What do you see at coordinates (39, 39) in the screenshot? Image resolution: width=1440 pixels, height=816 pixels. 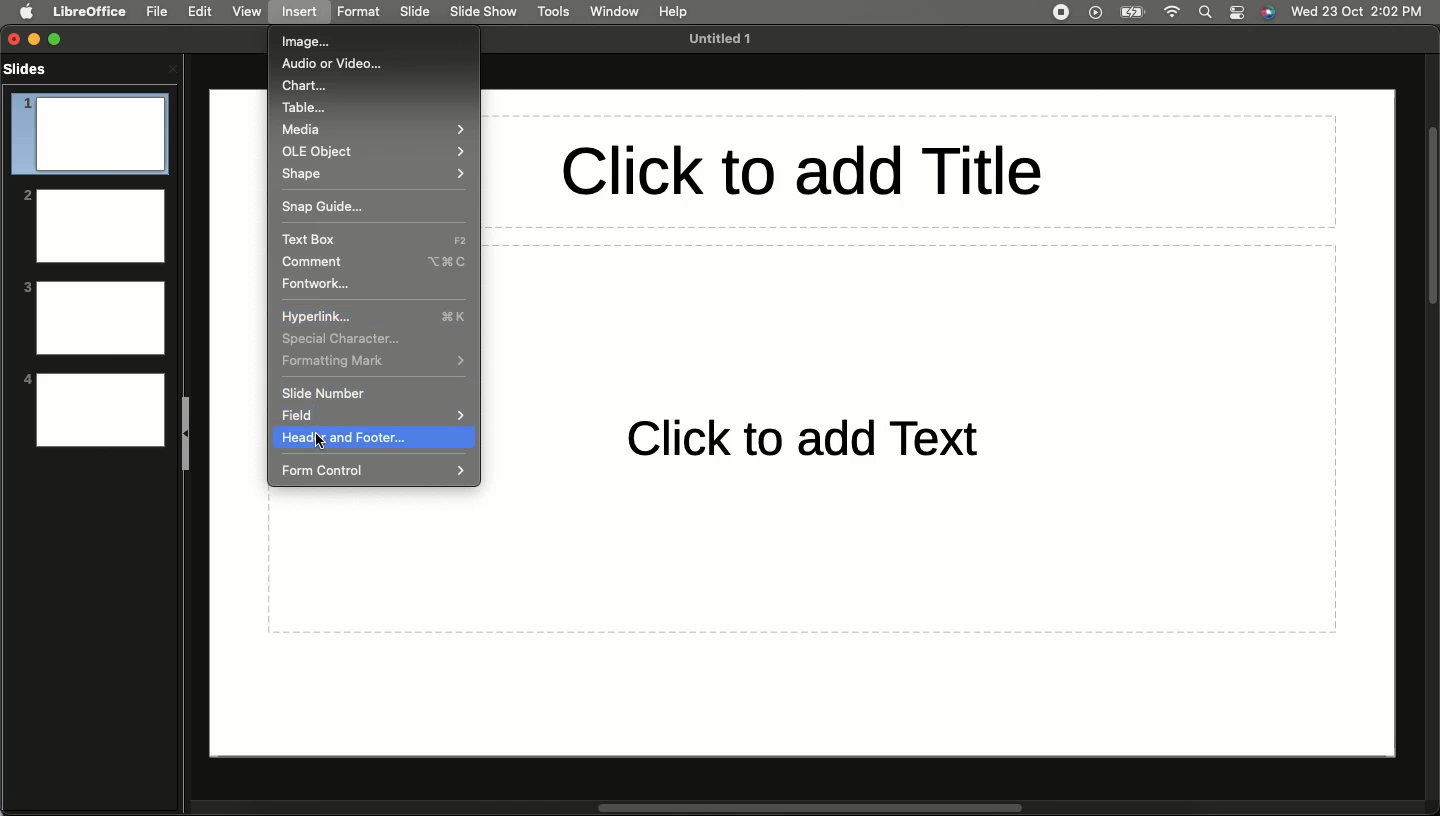 I see `Minimize` at bounding box center [39, 39].